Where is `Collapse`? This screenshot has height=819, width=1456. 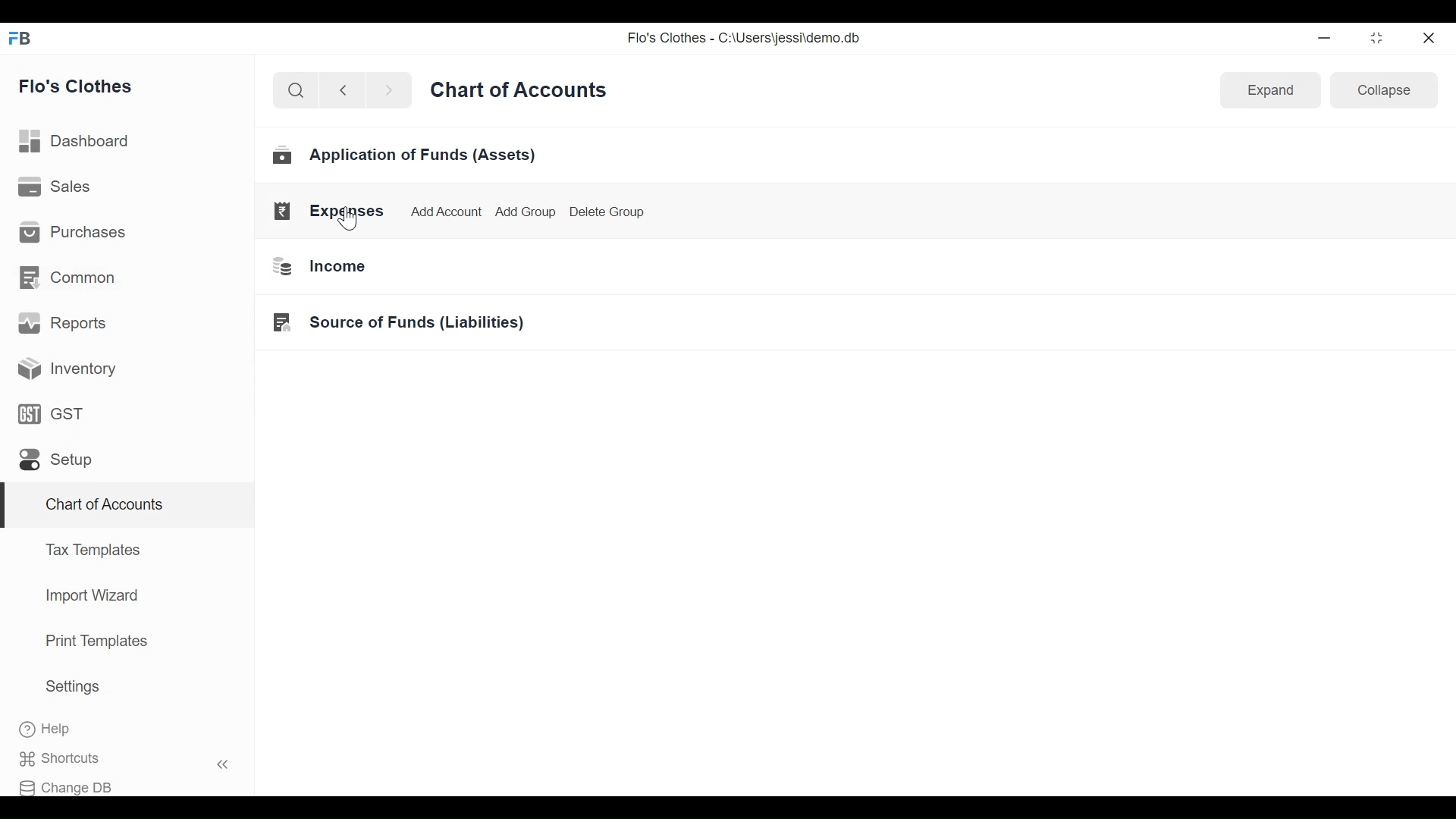
Collapse is located at coordinates (1386, 93).